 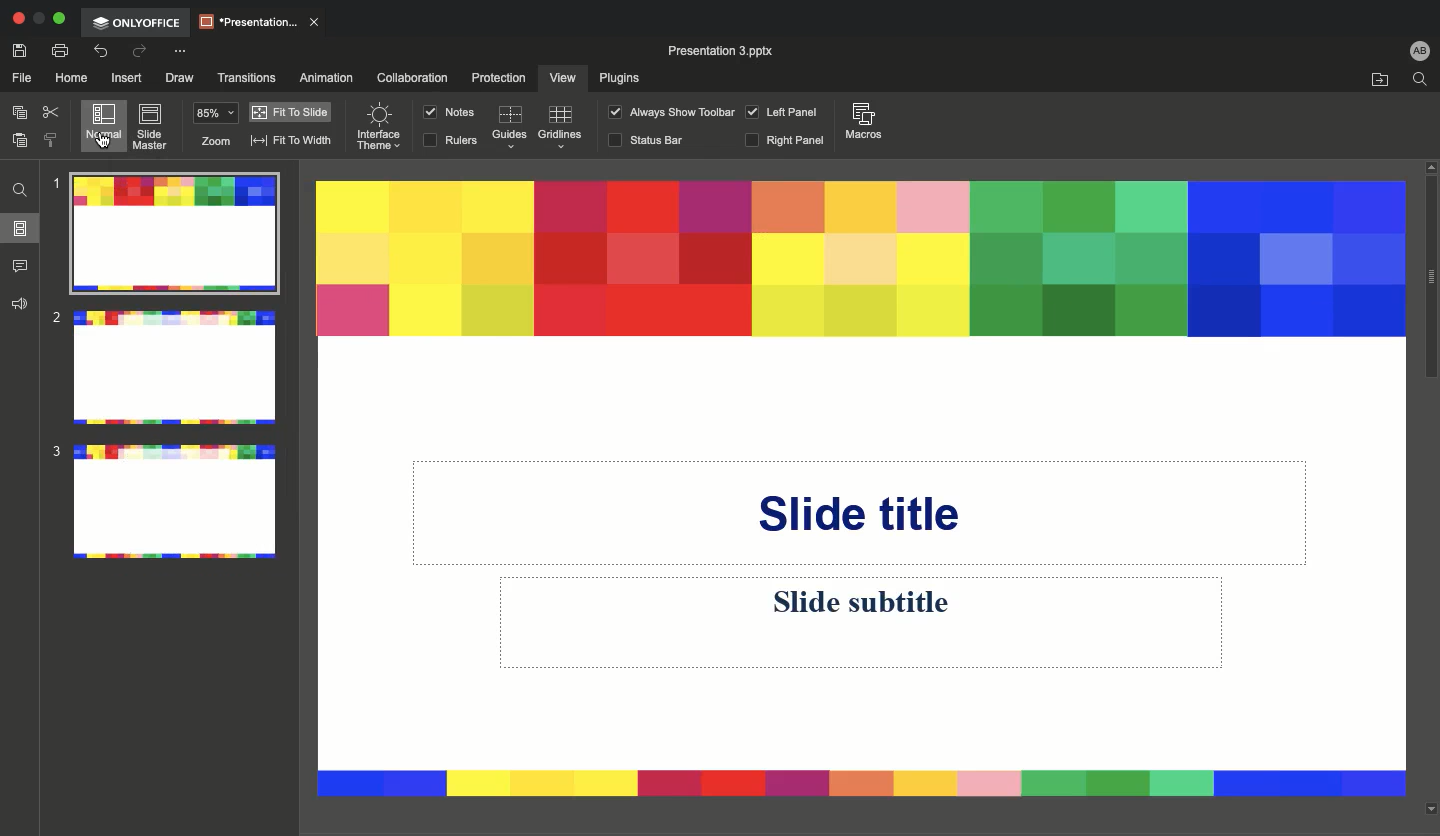 What do you see at coordinates (106, 125) in the screenshot?
I see `Normal` at bounding box center [106, 125].